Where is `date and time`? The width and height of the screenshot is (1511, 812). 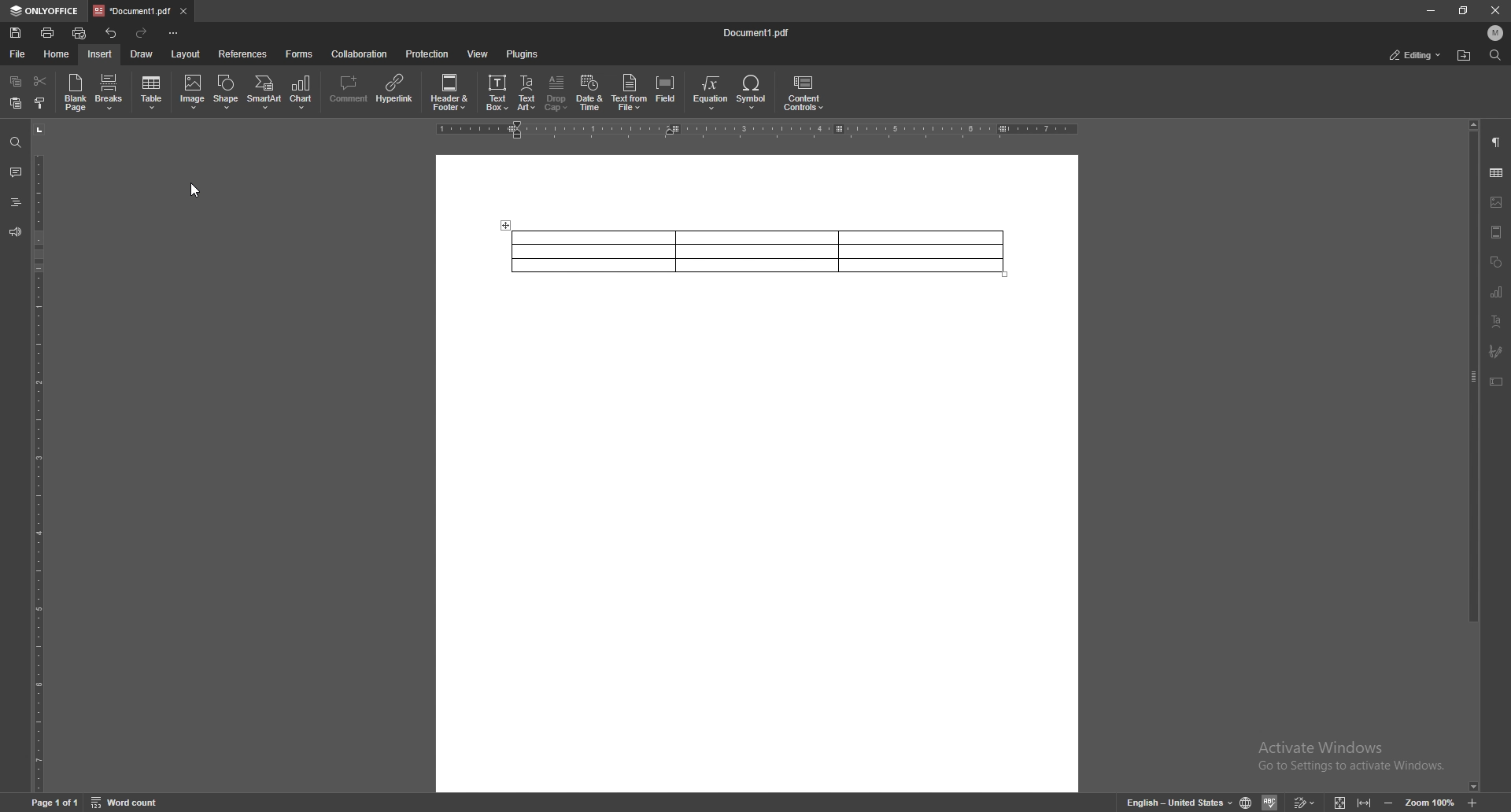
date and time is located at coordinates (589, 94).